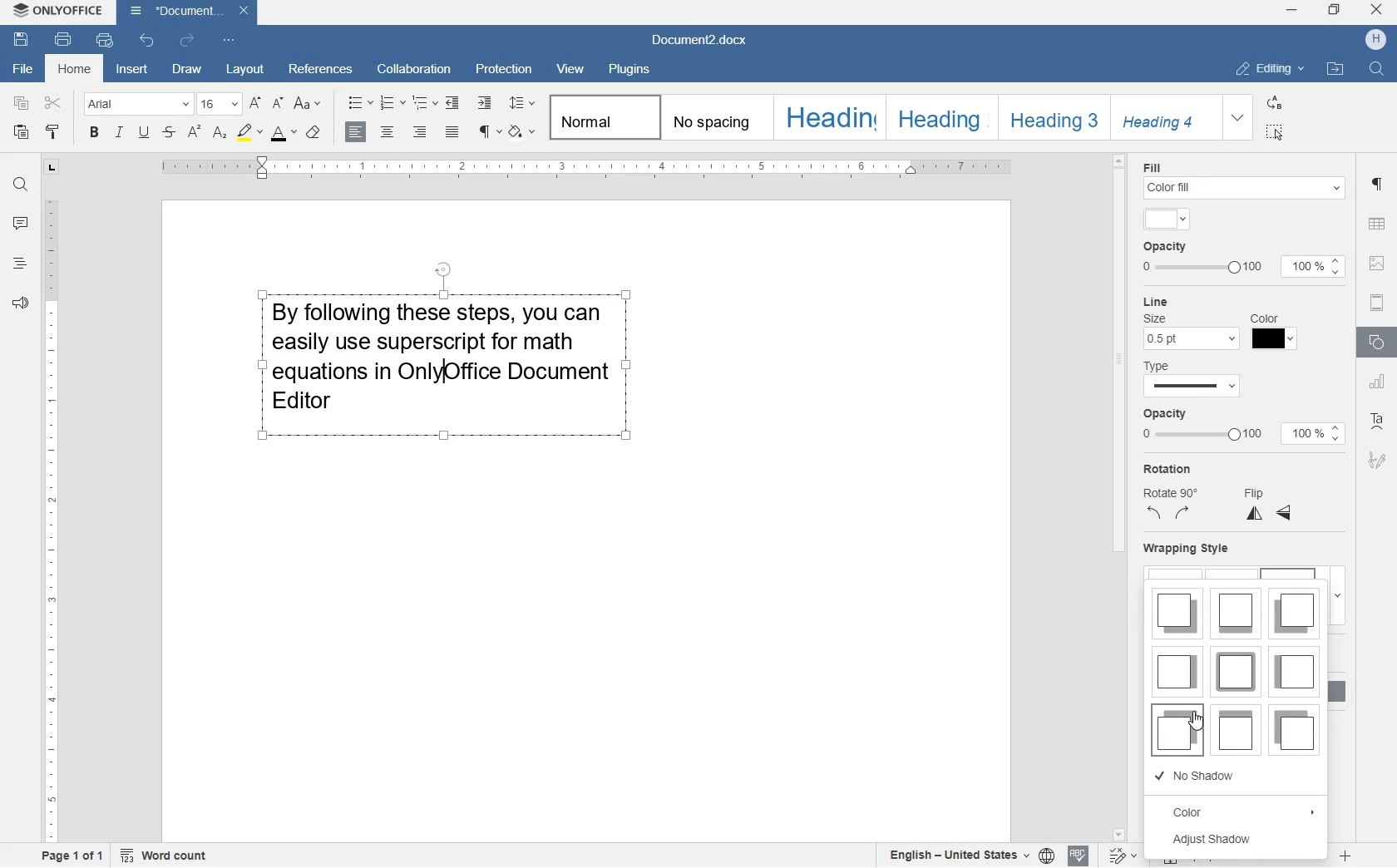 This screenshot has width=1397, height=868. What do you see at coordinates (1201, 259) in the screenshot?
I see `opacity` at bounding box center [1201, 259].